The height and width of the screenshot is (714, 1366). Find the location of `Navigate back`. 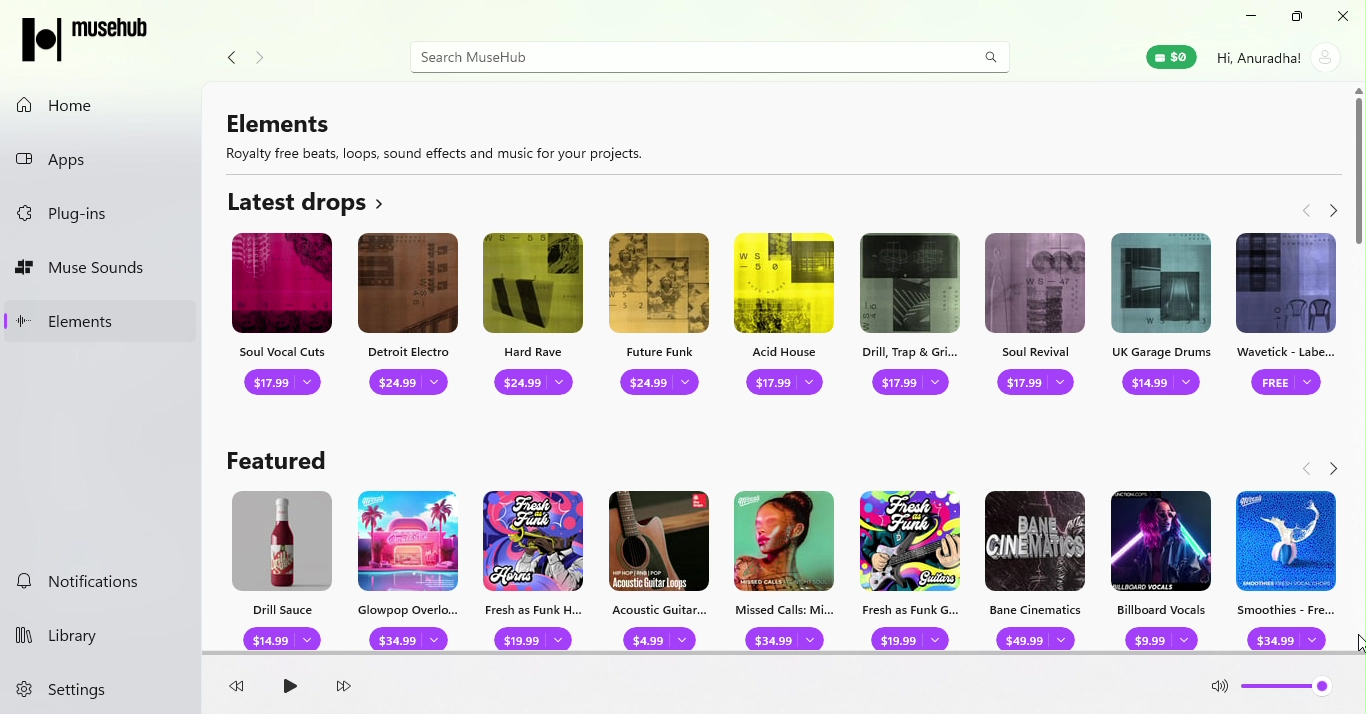

Navigate back is located at coordinates (228, 59).